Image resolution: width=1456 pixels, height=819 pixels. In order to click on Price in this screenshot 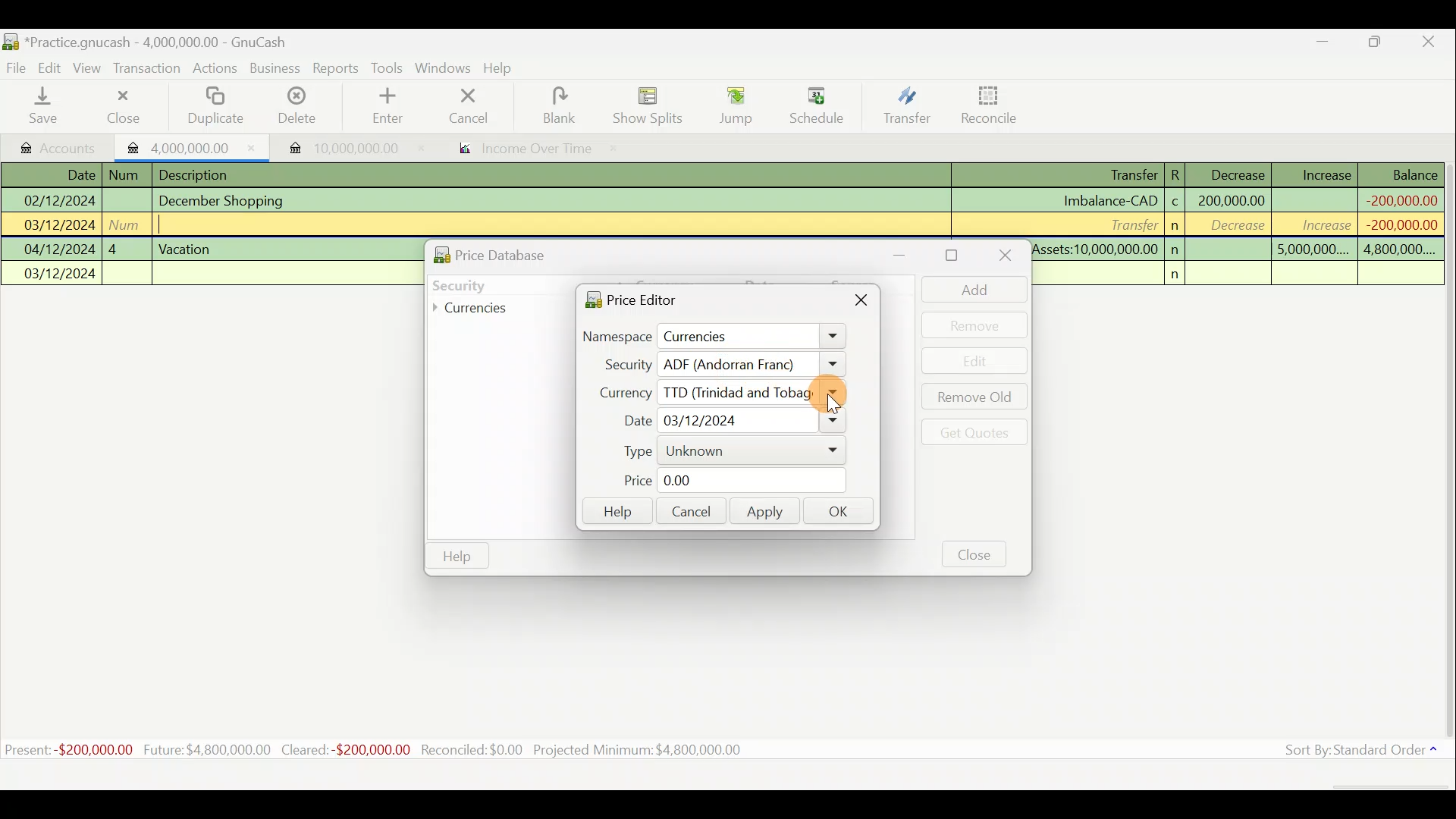, I will do `click(724, 481)`.